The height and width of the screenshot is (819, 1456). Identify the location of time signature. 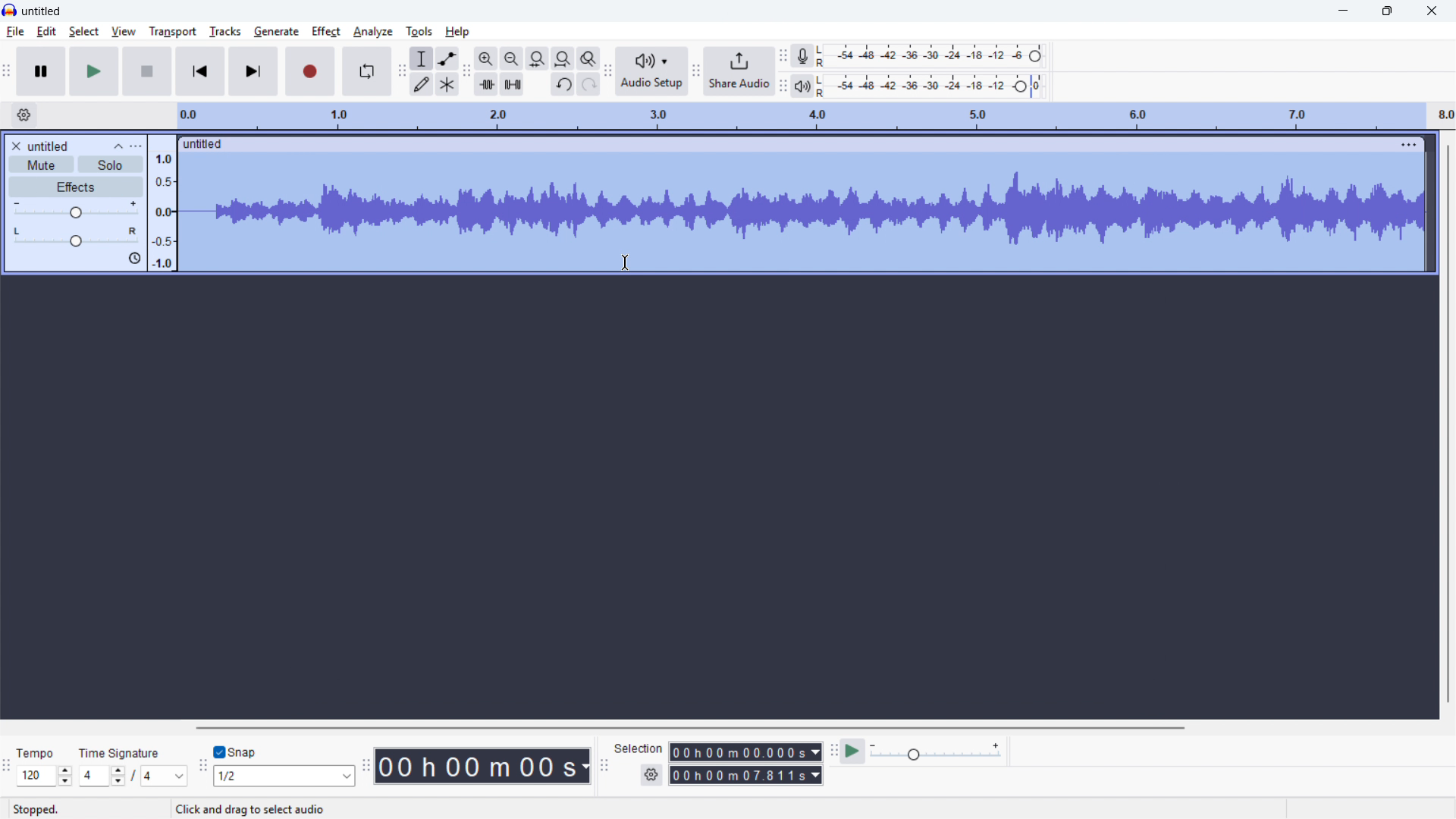
(120, 754).